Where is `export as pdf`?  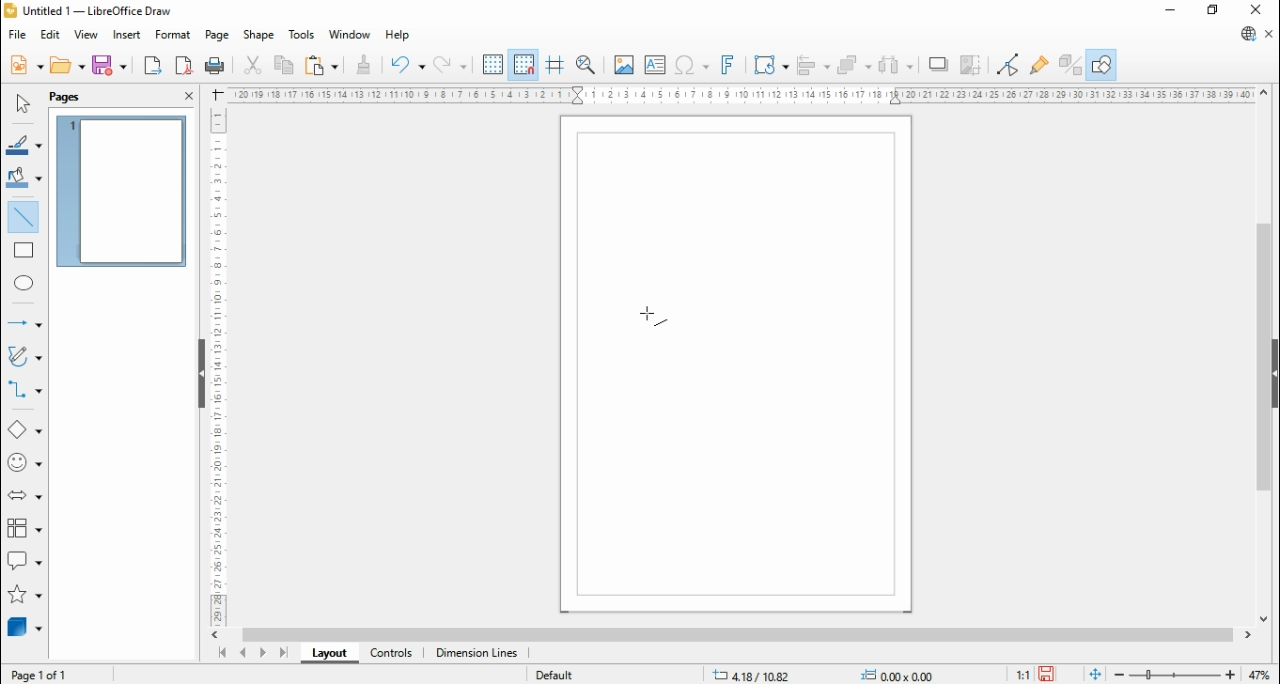 export as pdf is located at coordinates (185, 66).